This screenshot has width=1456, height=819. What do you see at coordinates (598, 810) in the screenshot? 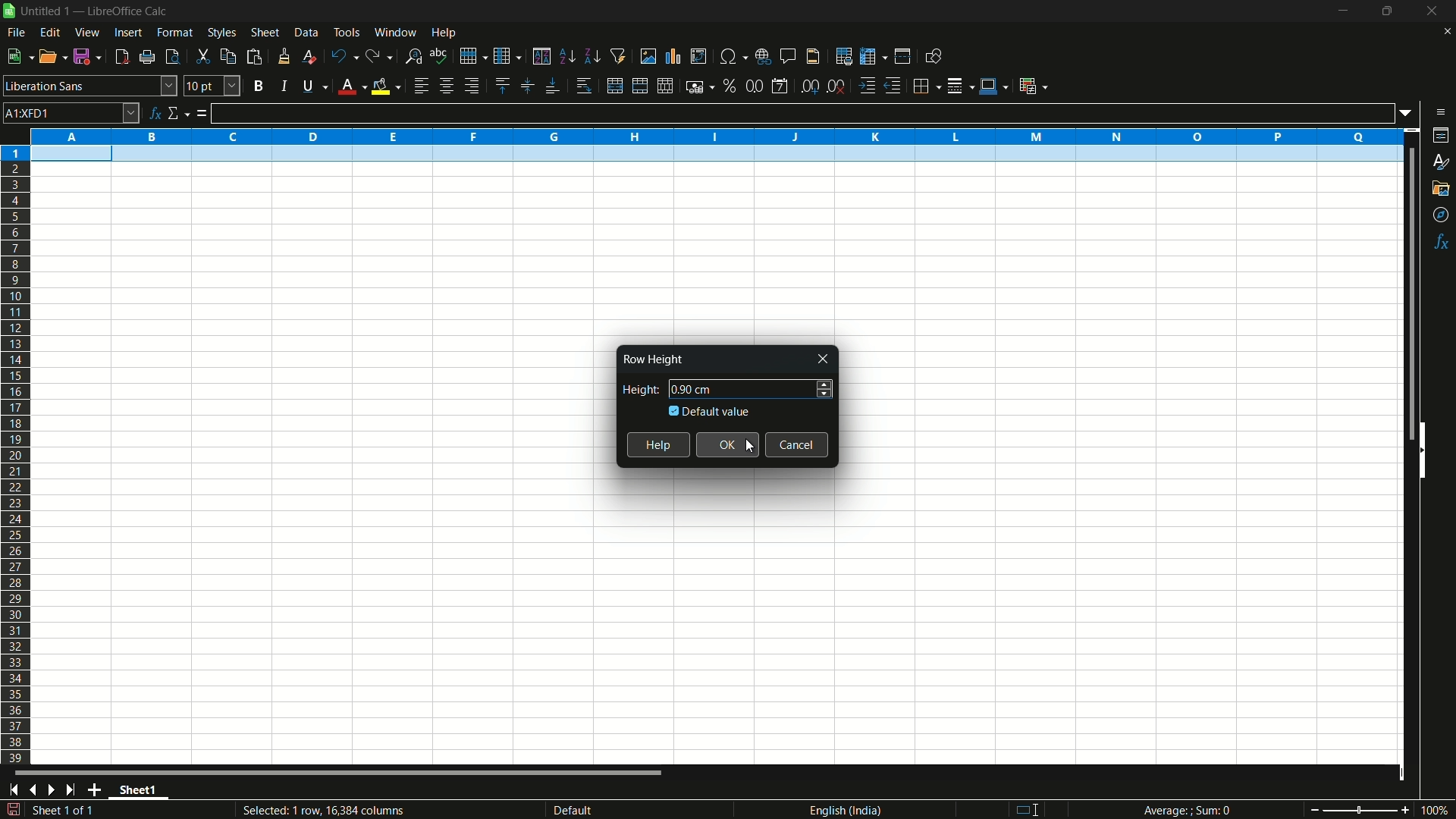
I see `default` at bounding box center [598, 810].